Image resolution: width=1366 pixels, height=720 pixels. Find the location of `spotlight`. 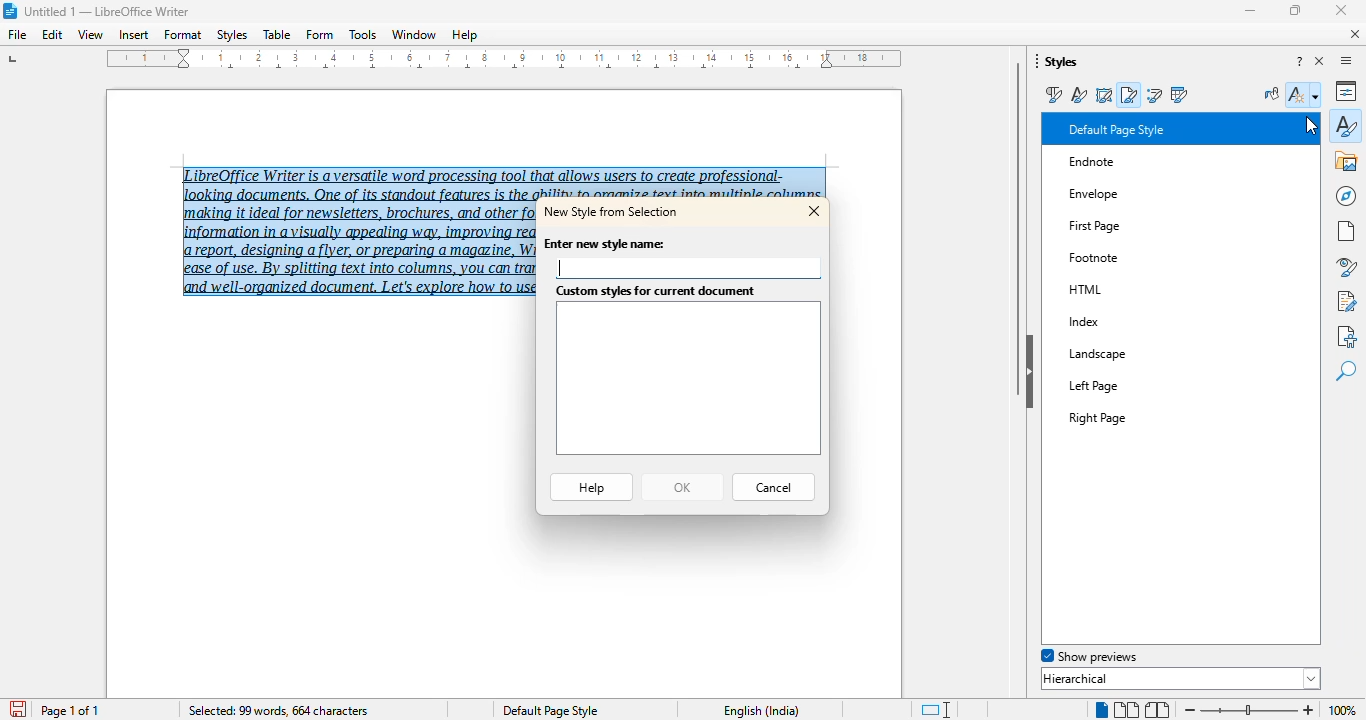

spotlight is located at coordinates (1174, 656).